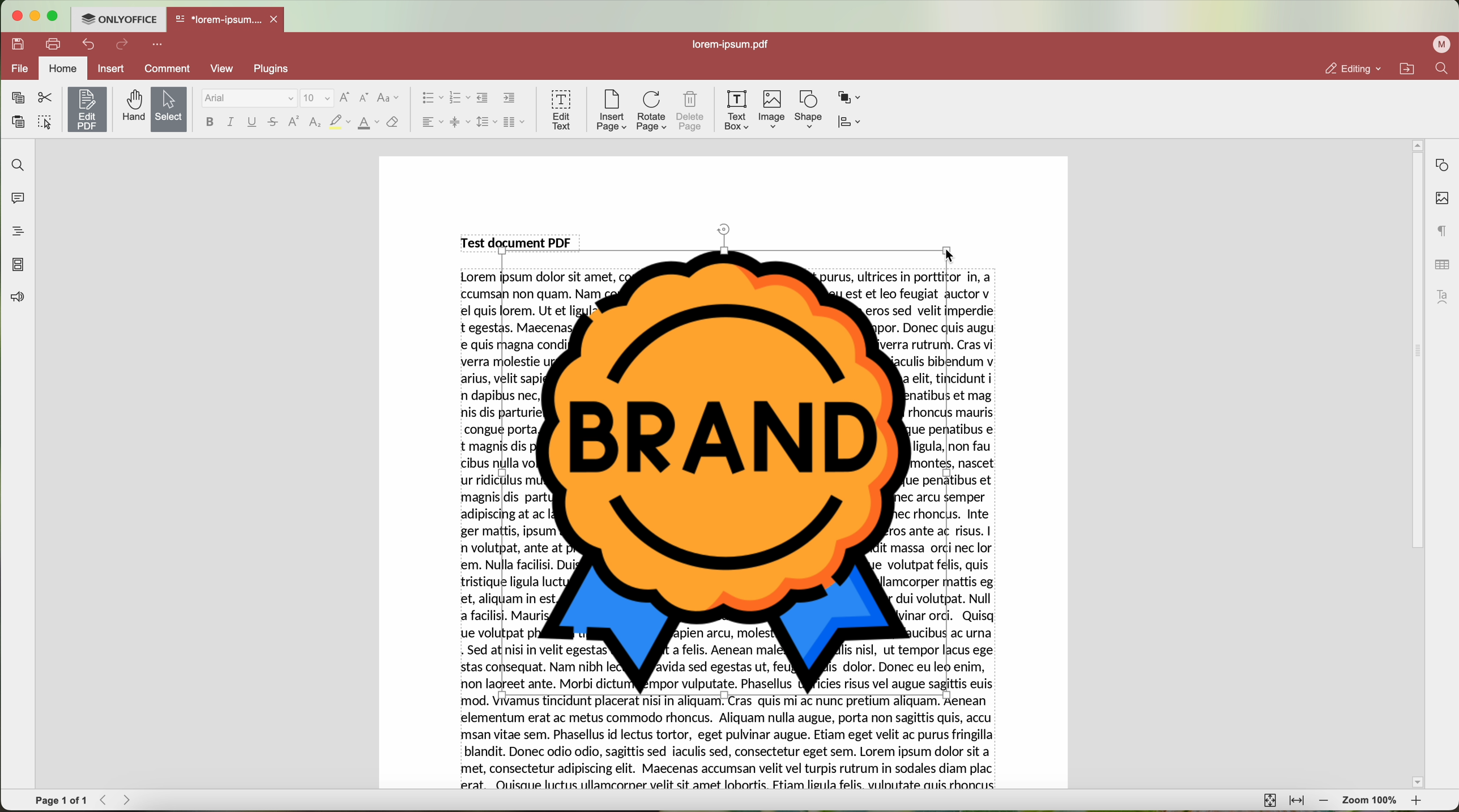 The image size is (1459, 812). I want to click on ONLYOFFICE, so click(118, 18).